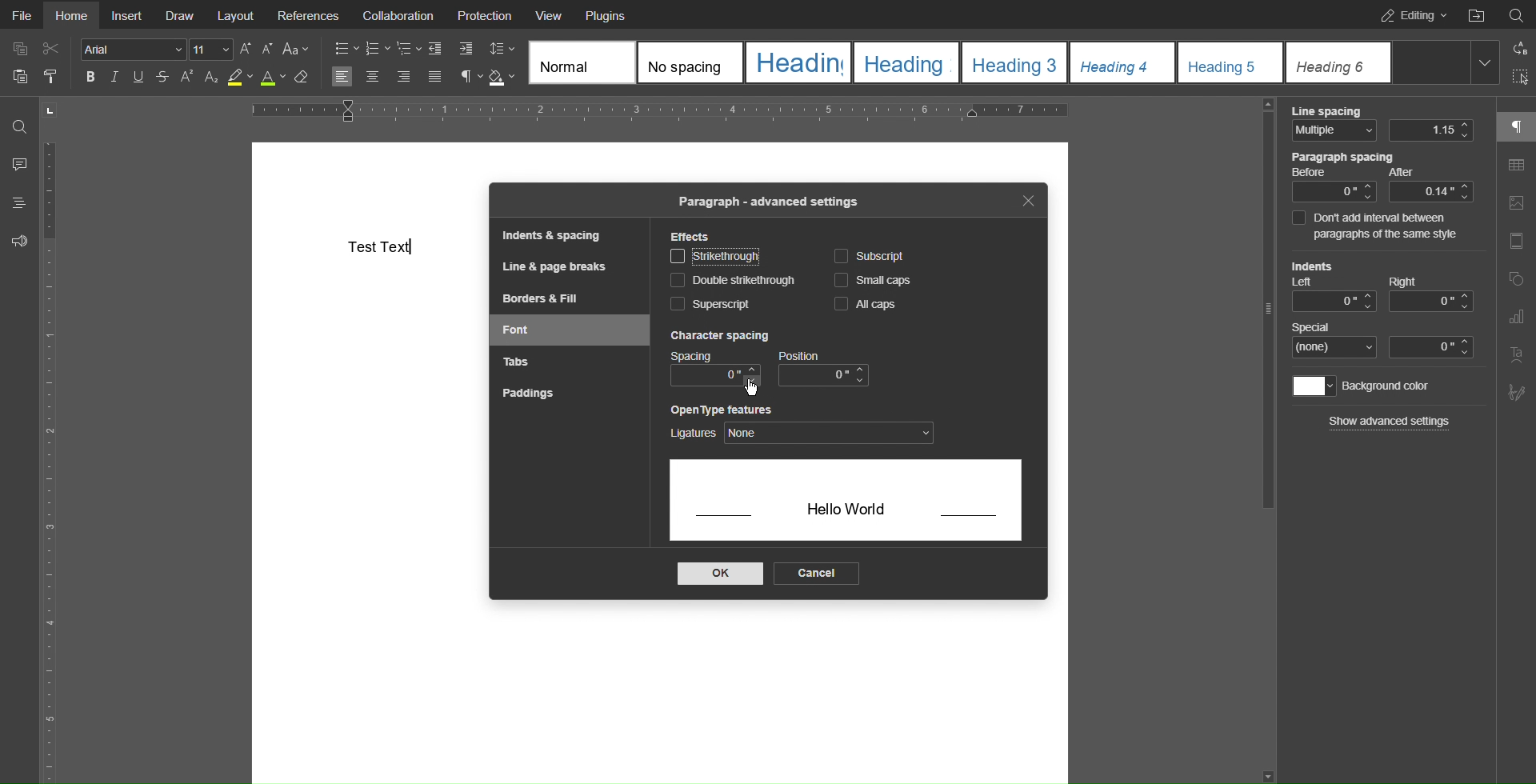  I want to click on Paragraph - advanced settings, so click(766, 202).